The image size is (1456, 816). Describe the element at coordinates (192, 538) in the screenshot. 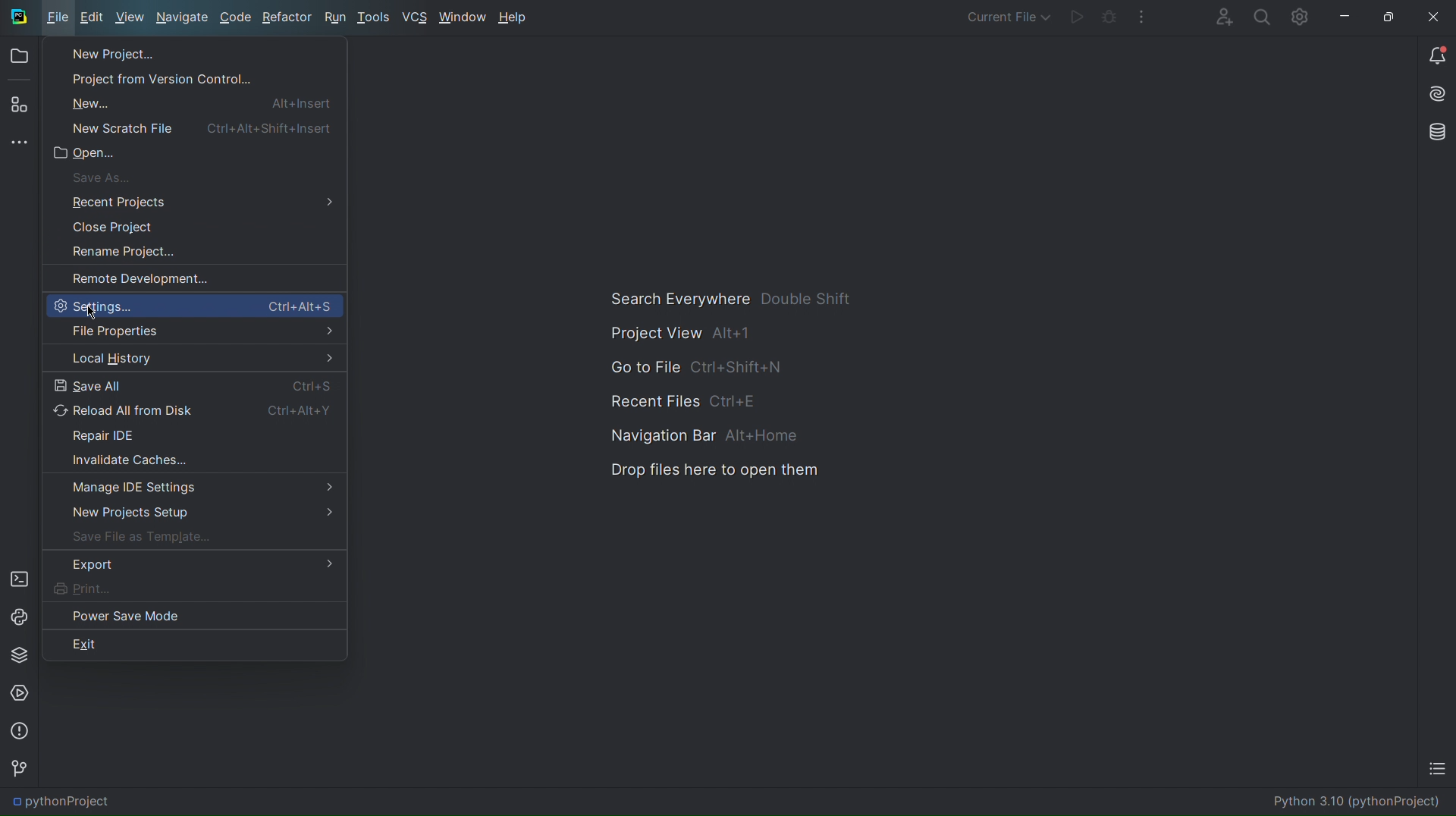

I see `Save File as Template` at that location.